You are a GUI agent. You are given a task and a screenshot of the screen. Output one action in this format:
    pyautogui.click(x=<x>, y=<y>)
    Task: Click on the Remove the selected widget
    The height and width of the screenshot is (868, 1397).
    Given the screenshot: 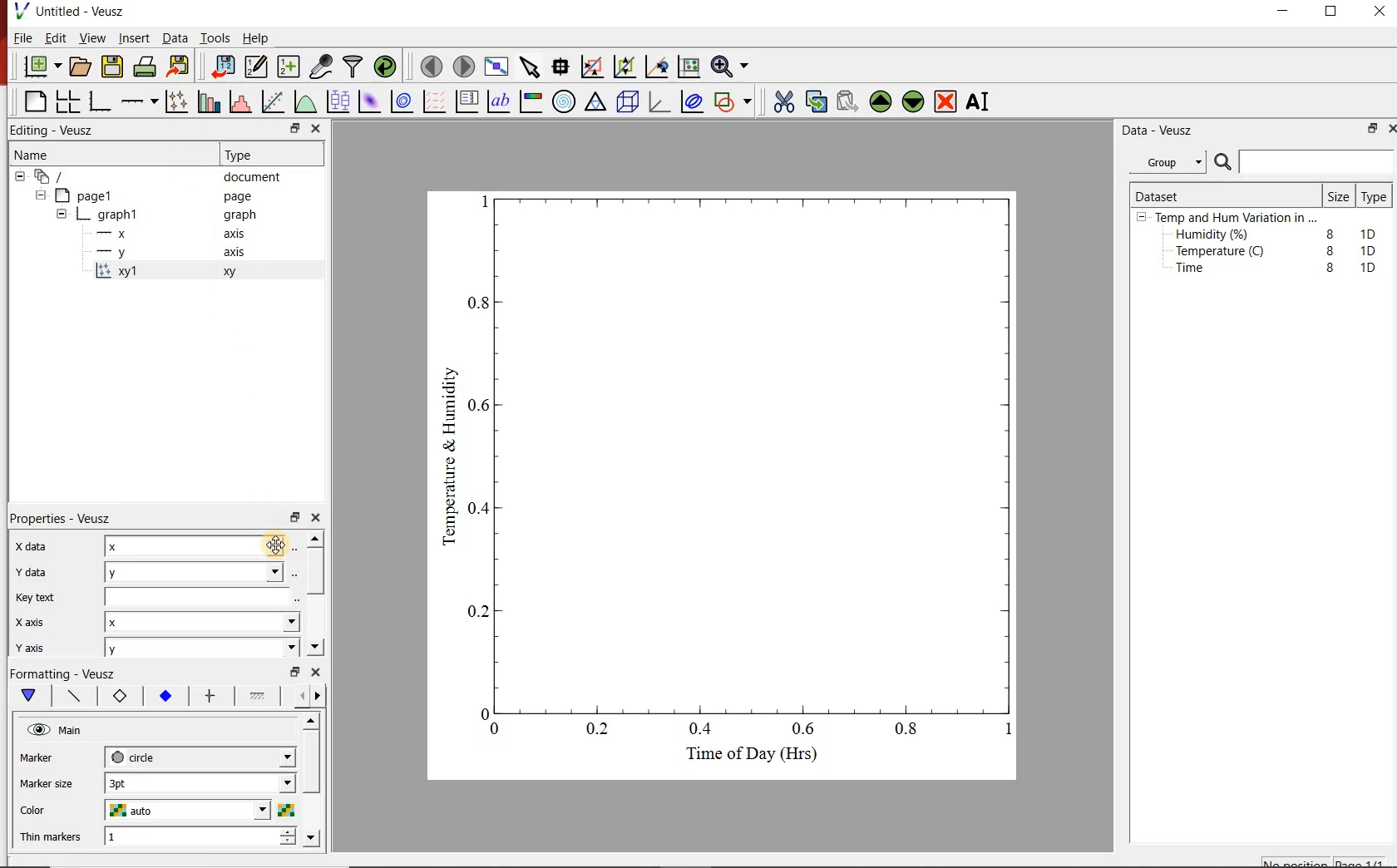 What is the action you would take?
    pyautogui.click(x=947, y=101)
    